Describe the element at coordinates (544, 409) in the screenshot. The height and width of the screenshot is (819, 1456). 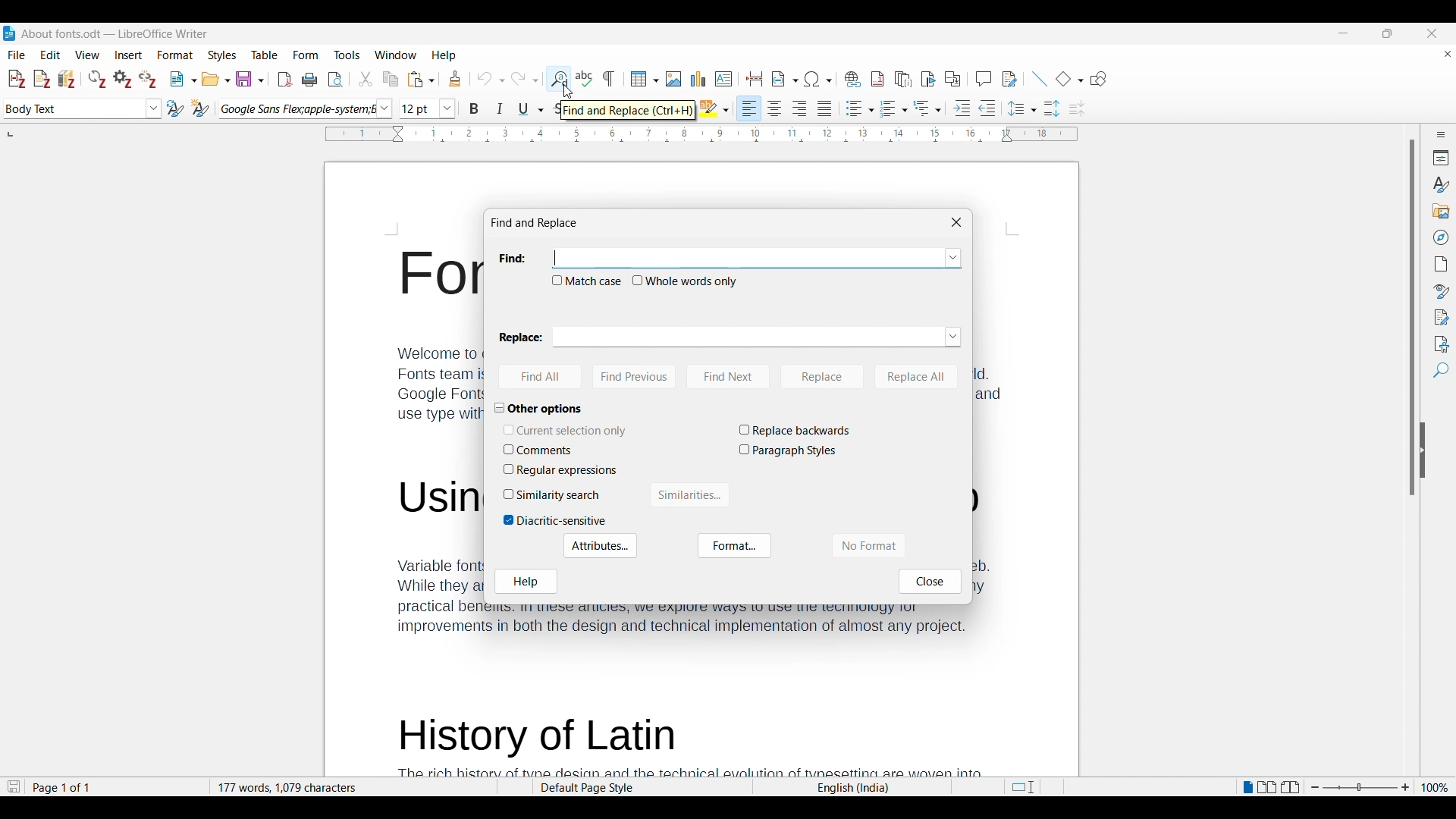
I see `Collapse Other options section` at that location.